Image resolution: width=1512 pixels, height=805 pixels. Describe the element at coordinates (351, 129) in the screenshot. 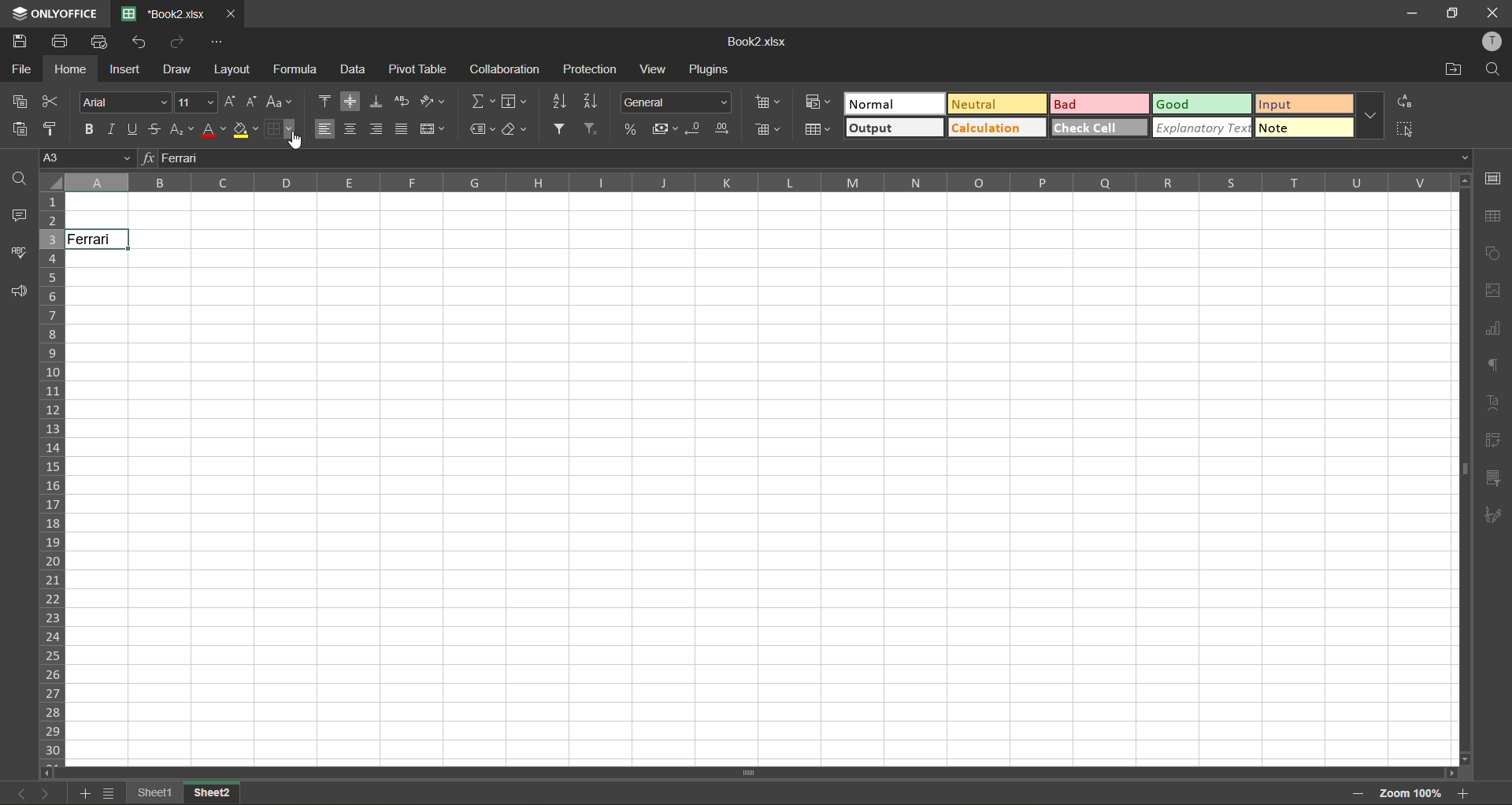

I see `align center` at that location.